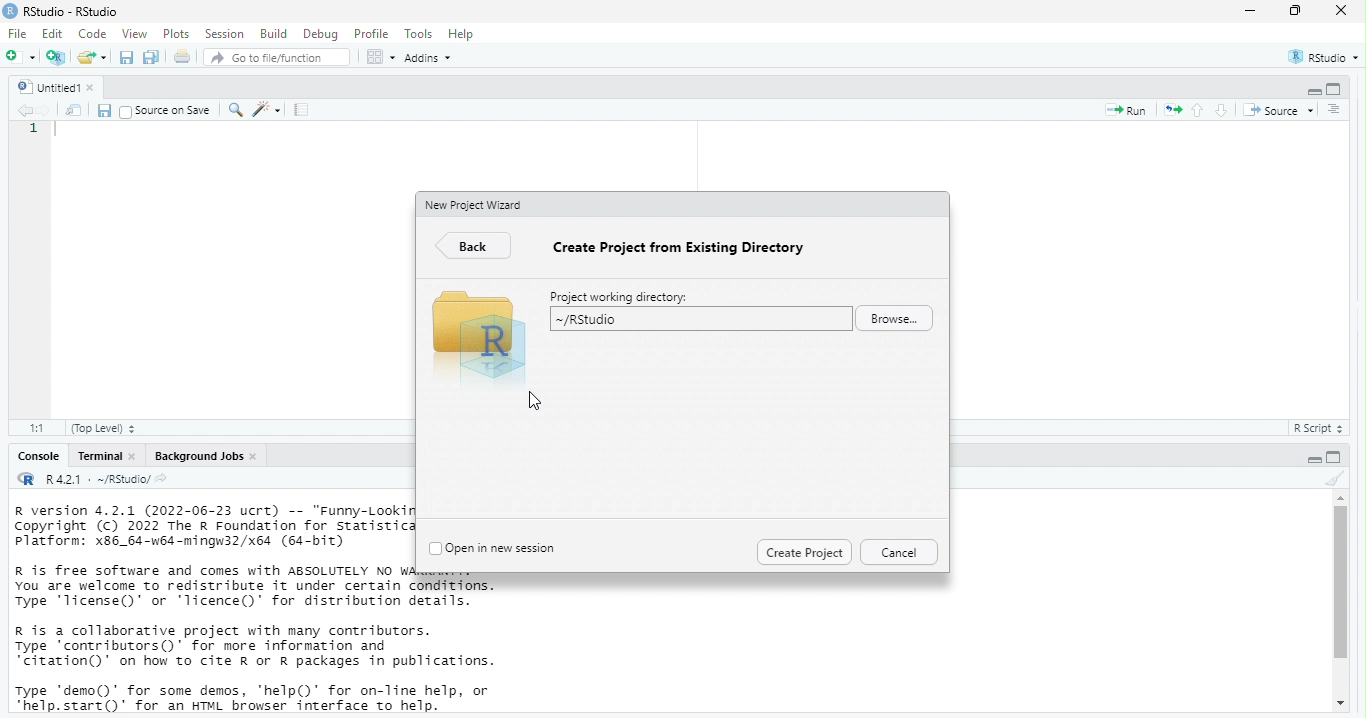 The image size is (1366, 718). Describe the element at coordinates (479, 325) in the screenshot. I see `icon for directory` at that location.